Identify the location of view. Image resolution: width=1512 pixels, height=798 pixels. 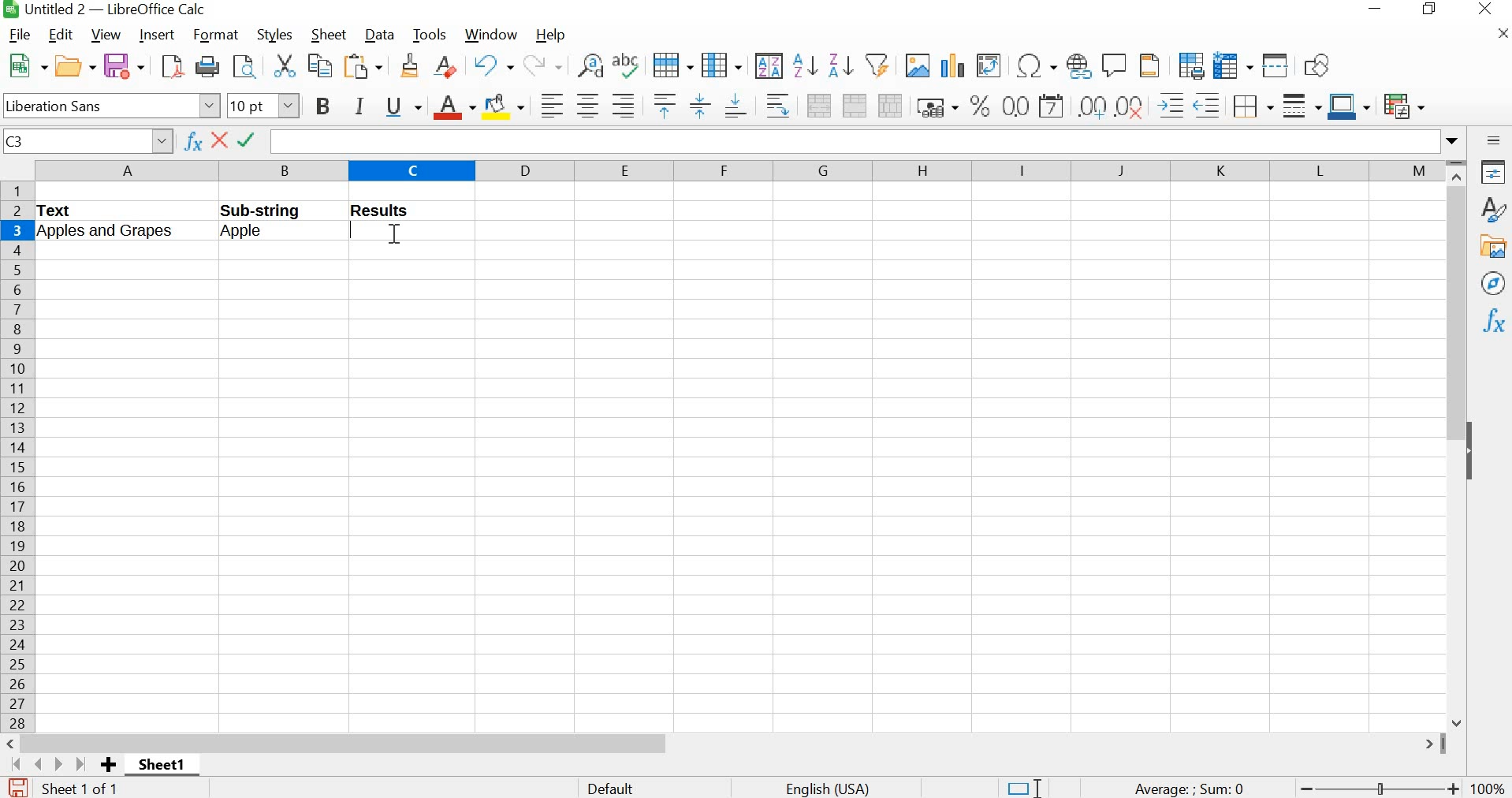
(103, 34).